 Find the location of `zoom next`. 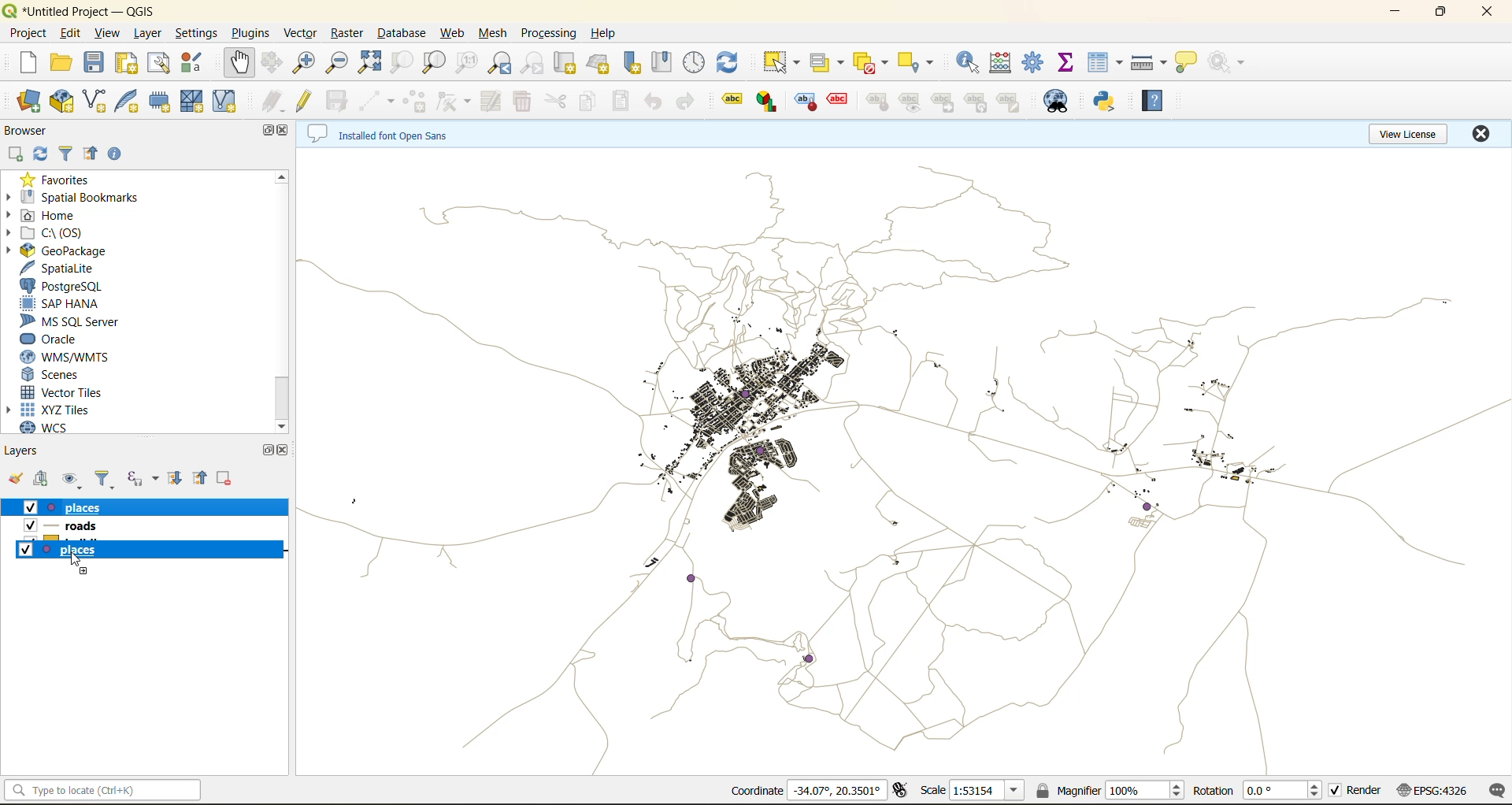

zoom next is located at coordinates (533, 64).